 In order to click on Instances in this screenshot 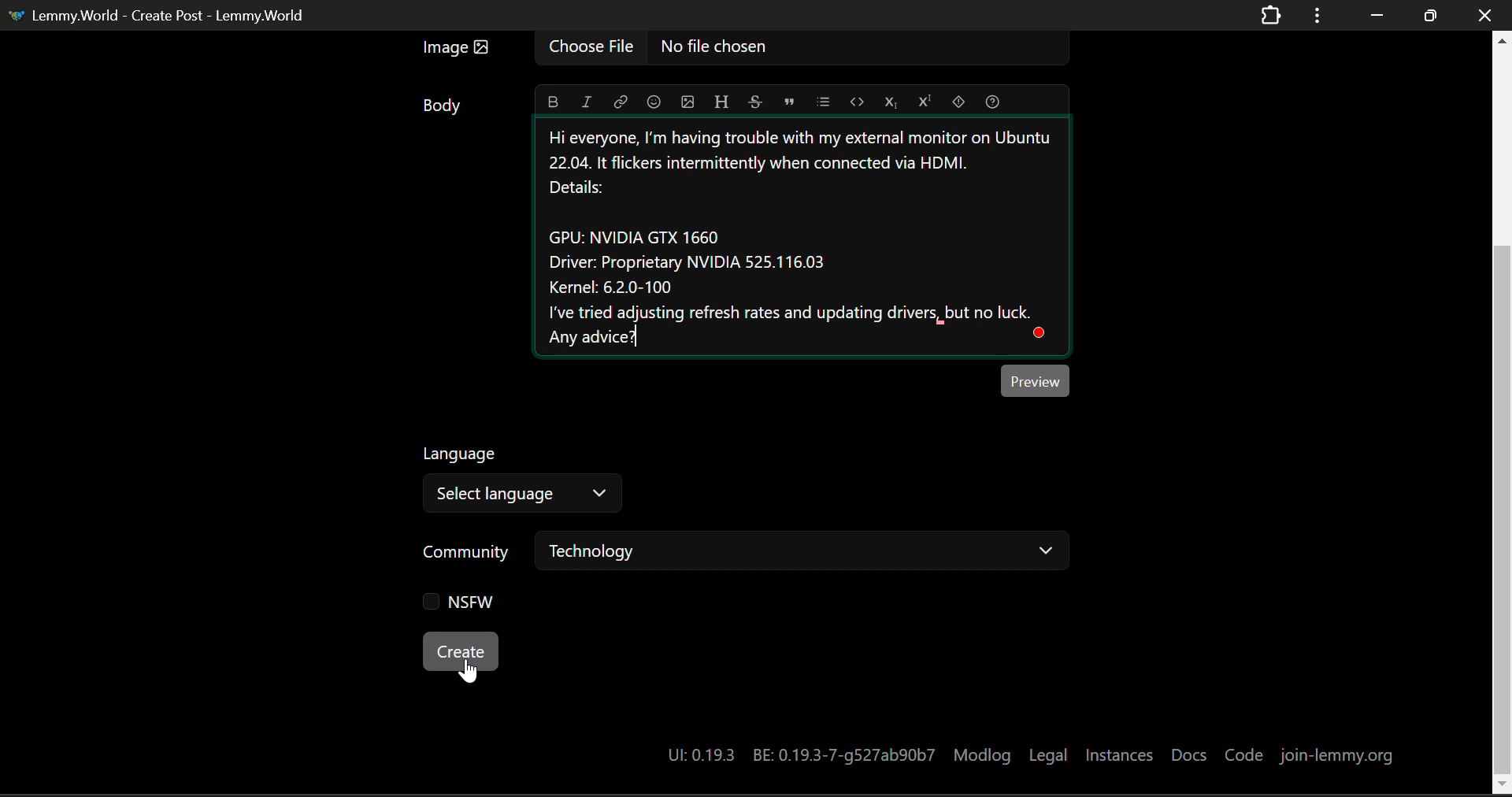, I will do `click(1119, 754)`.